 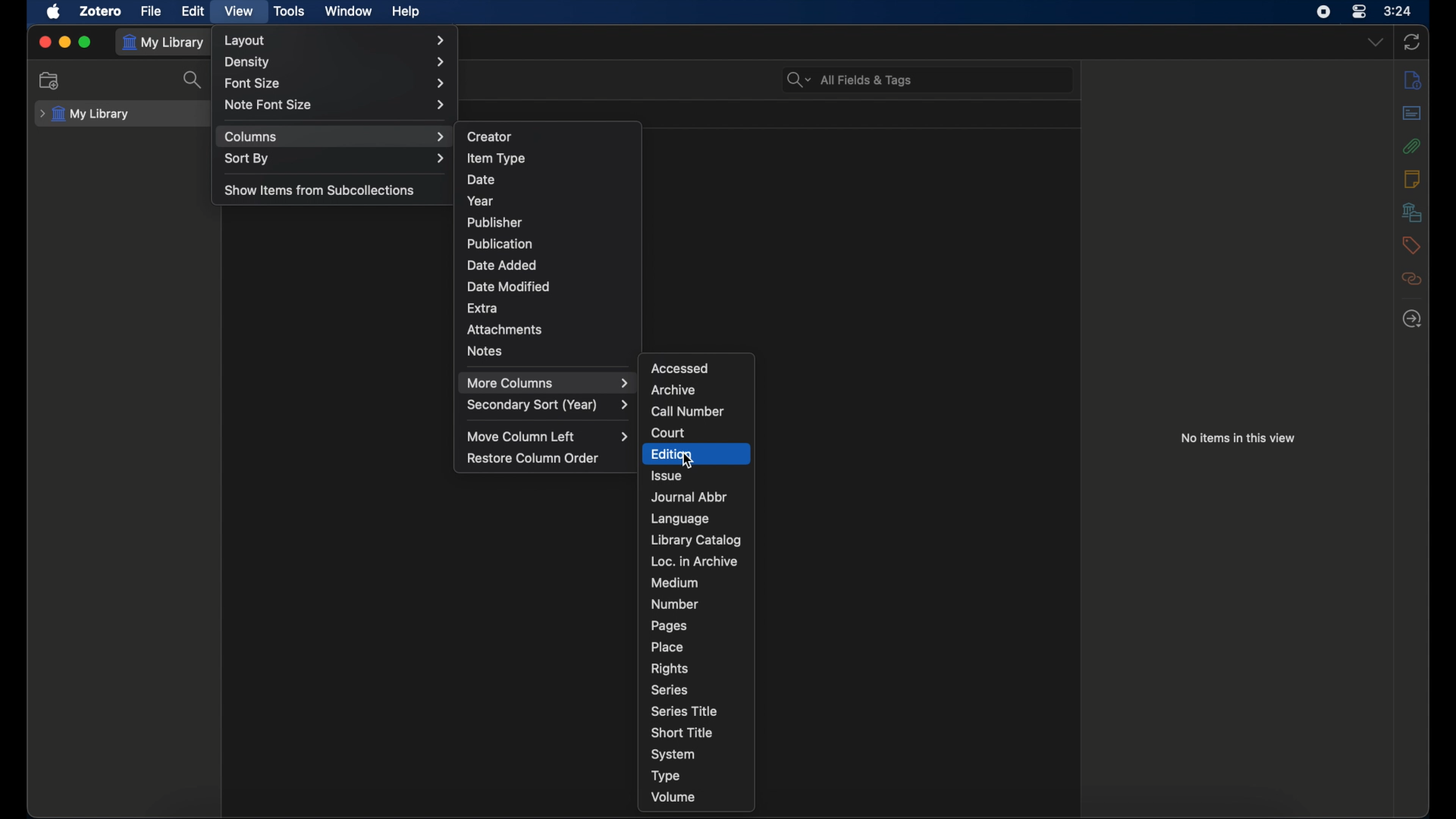 What do you see at coordinates (481, 201) in the screenshot?
I see `year` at bounding box center [481, 201].